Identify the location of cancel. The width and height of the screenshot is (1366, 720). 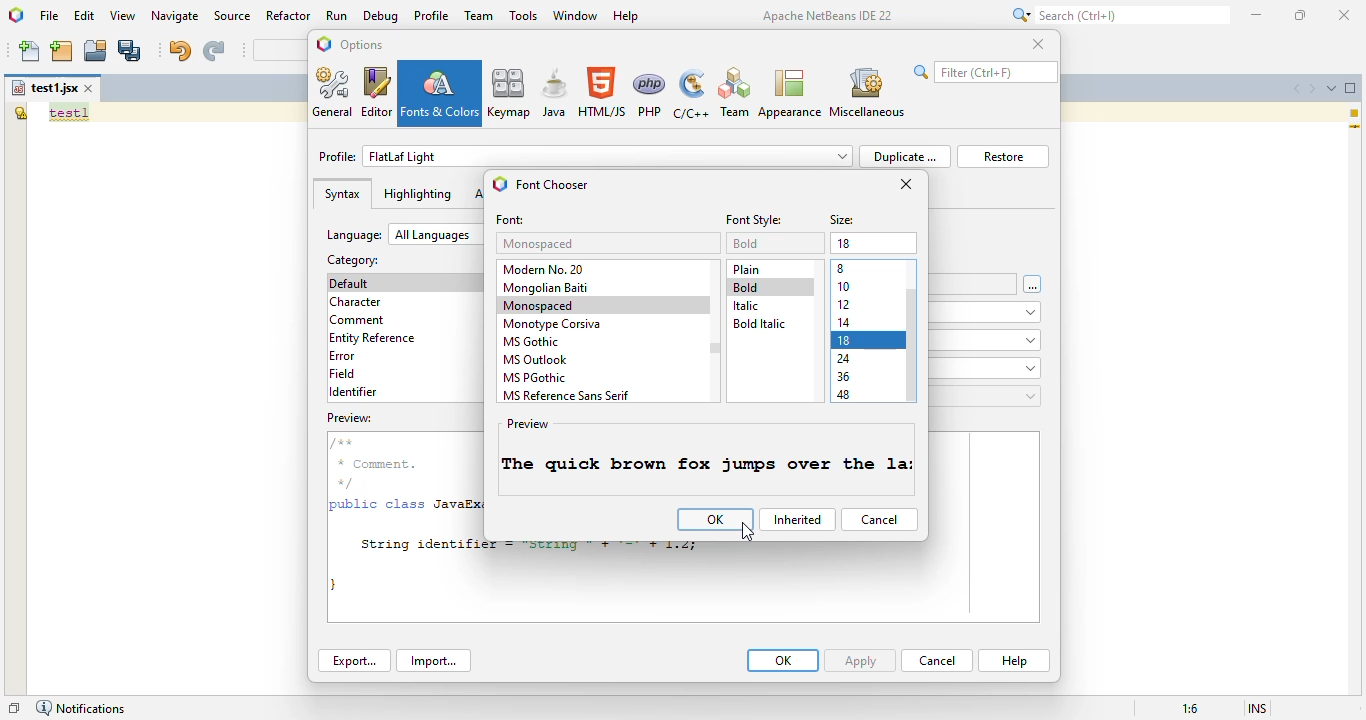
(937, 660).